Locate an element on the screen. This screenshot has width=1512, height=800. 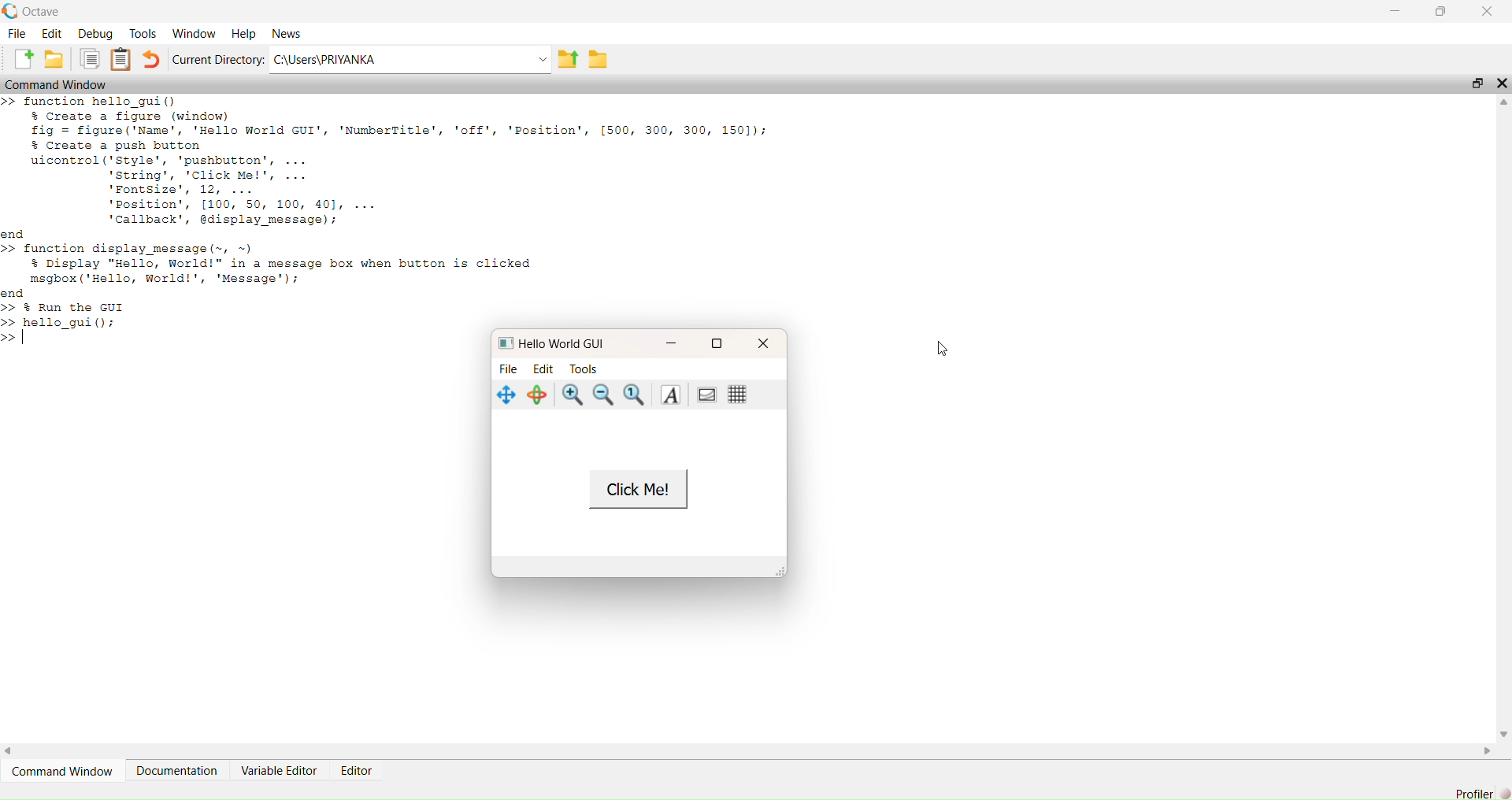
Variable Editor is located at coordinates (280, 771).